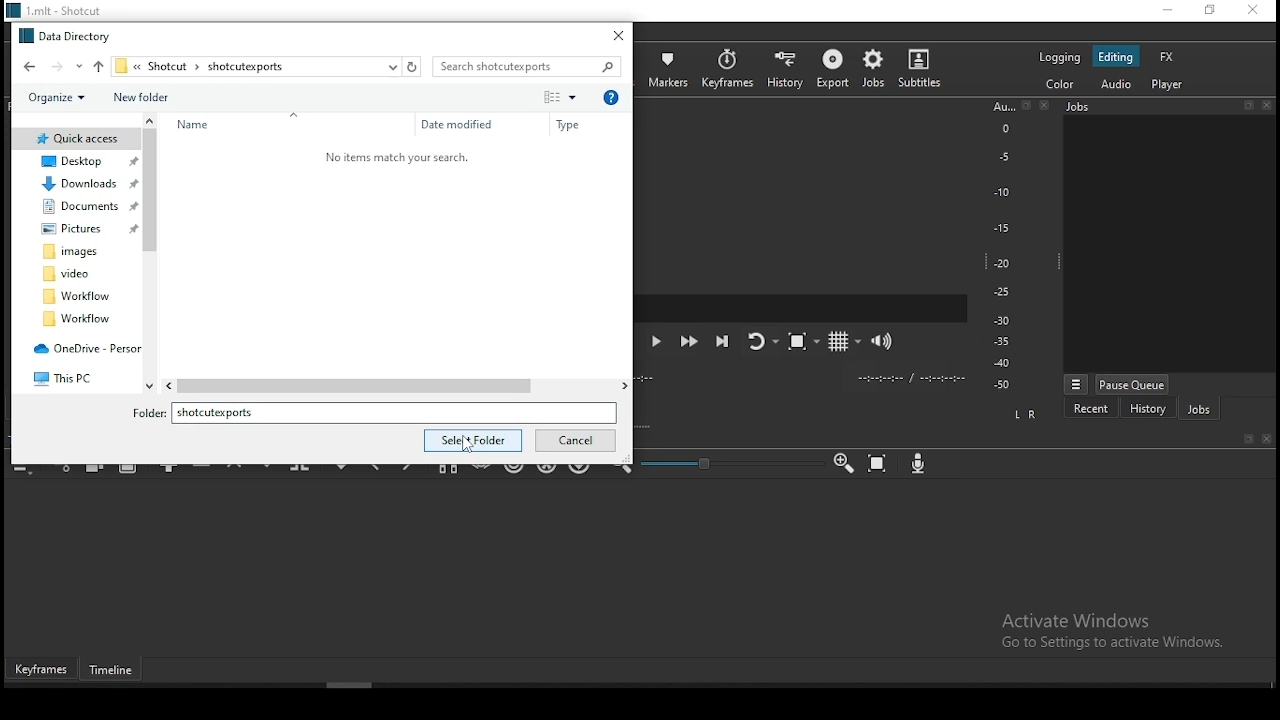 The image size is (1280, 720). What do you see at coordinates (1134, 384) in the screenshot?
I see `pause queue` at bounding box center [1134, 384].